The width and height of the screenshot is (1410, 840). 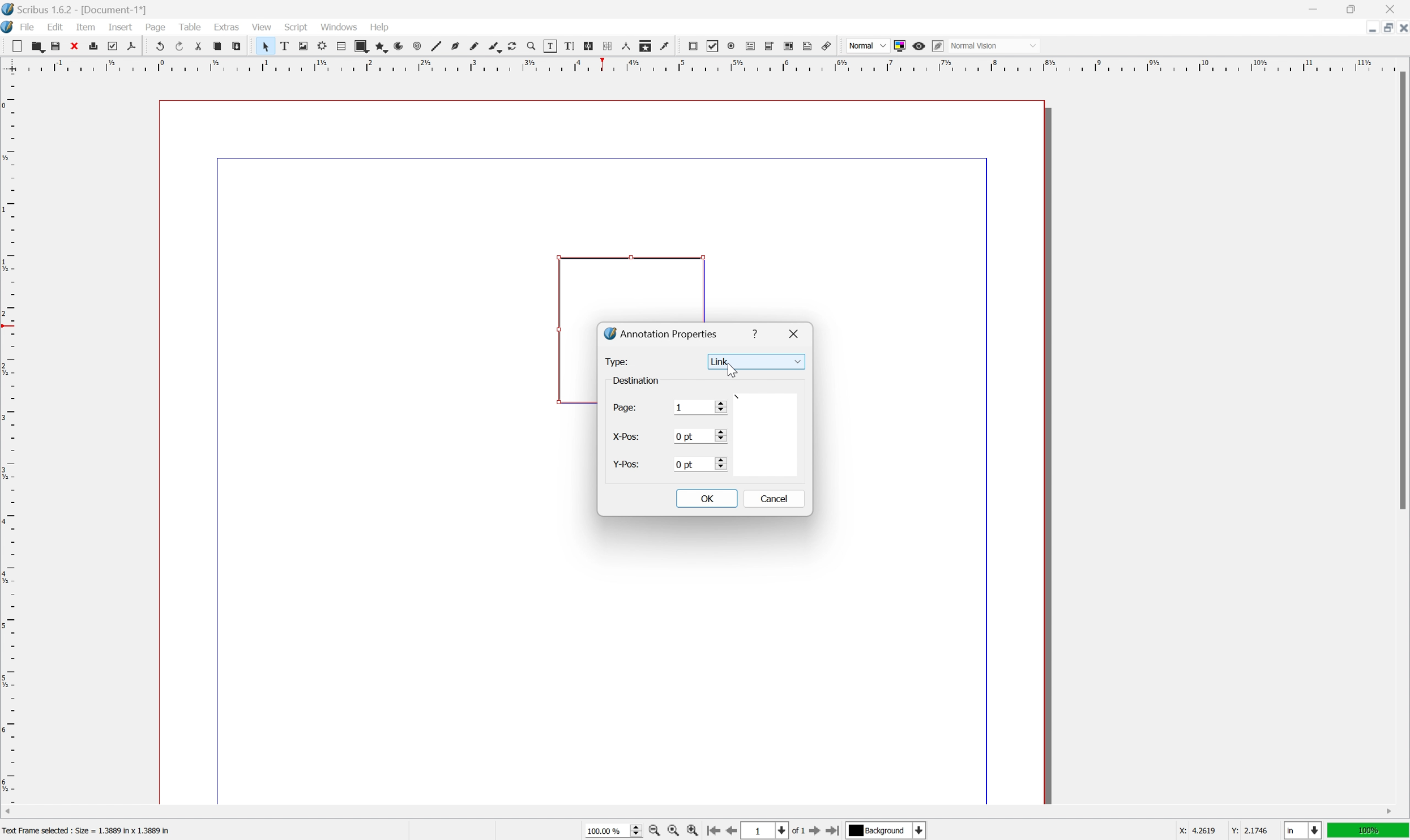 What do you see at coordinates (217, 46) in the screenshot?
I see `copy` at bounding box center [217, 46].